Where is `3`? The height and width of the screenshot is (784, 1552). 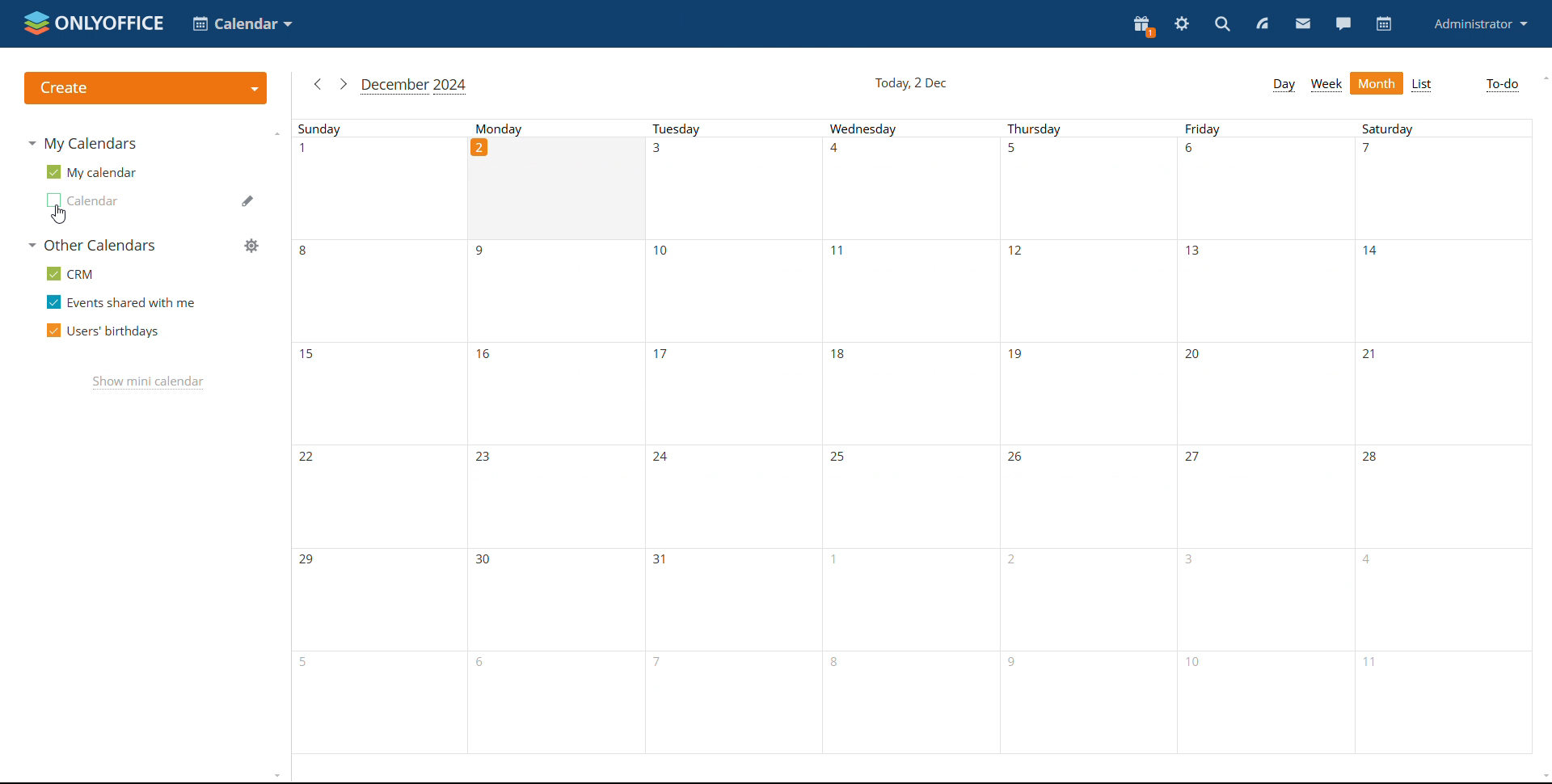
3 is located at coordinates (734, 188).